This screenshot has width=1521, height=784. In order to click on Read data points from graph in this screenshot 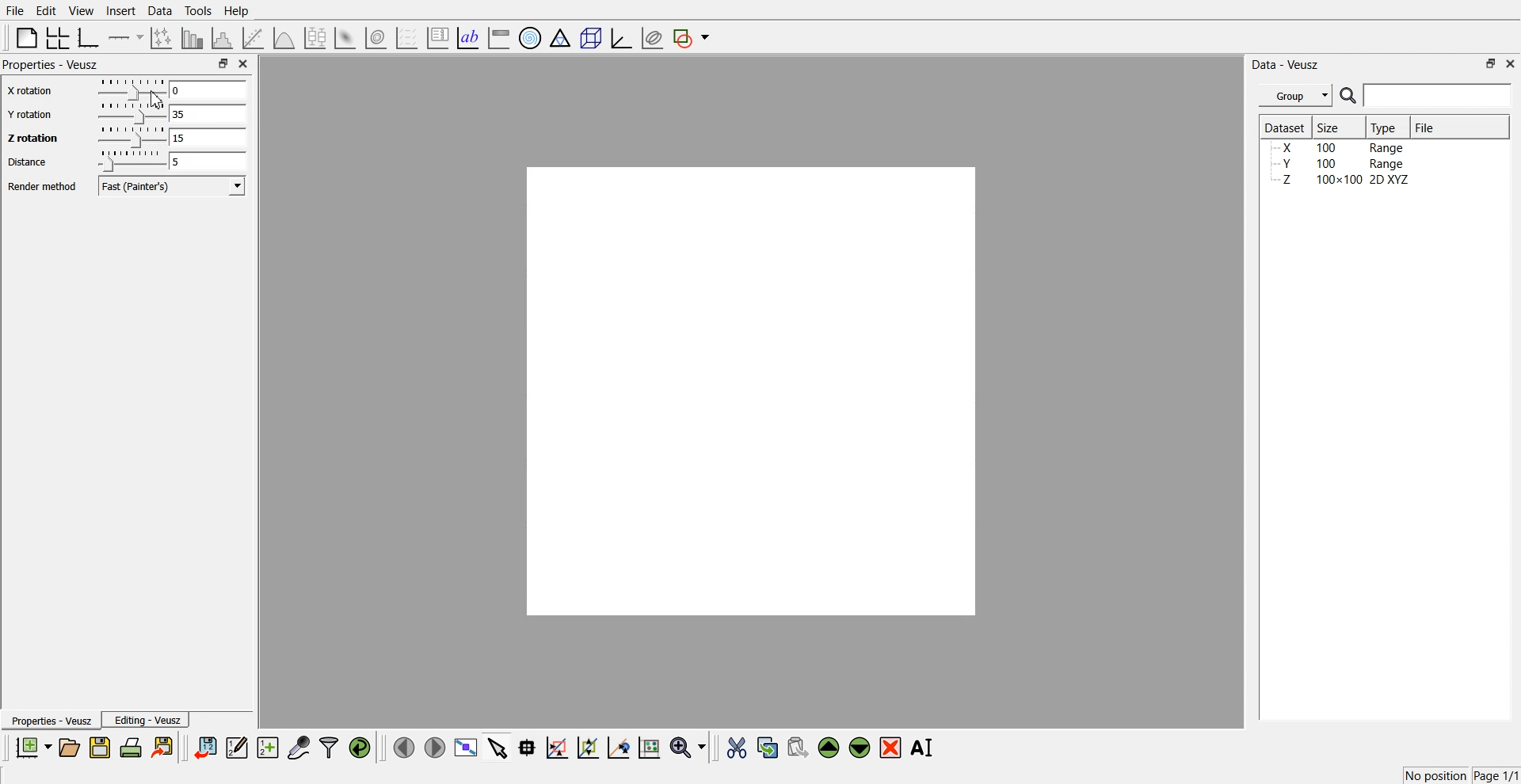, I will do `click(528, 747)`.